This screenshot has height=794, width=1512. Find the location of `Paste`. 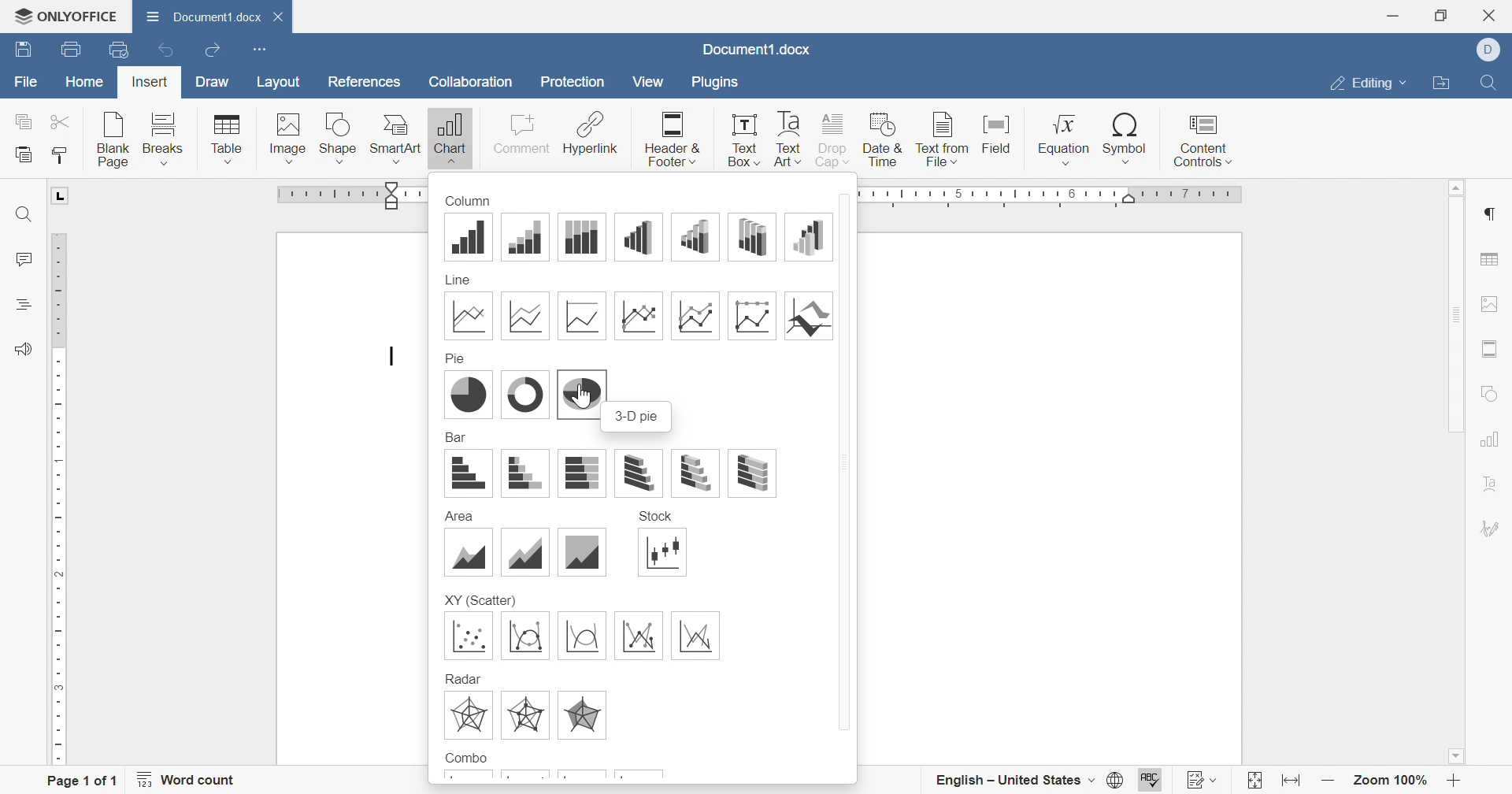

Paste is located at coordinates (26, 154).